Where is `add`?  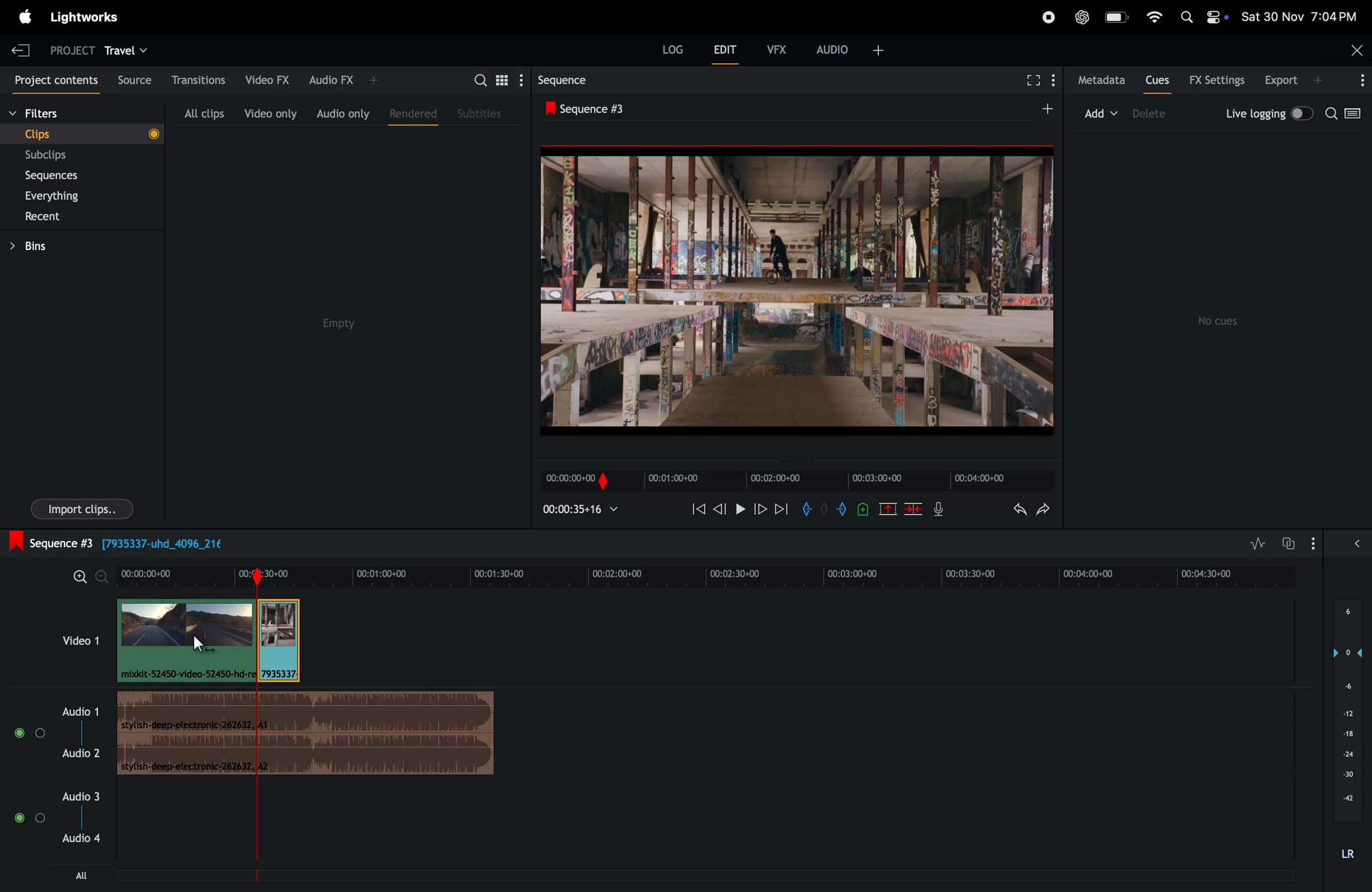 add is located at coordinates (1041, 109).